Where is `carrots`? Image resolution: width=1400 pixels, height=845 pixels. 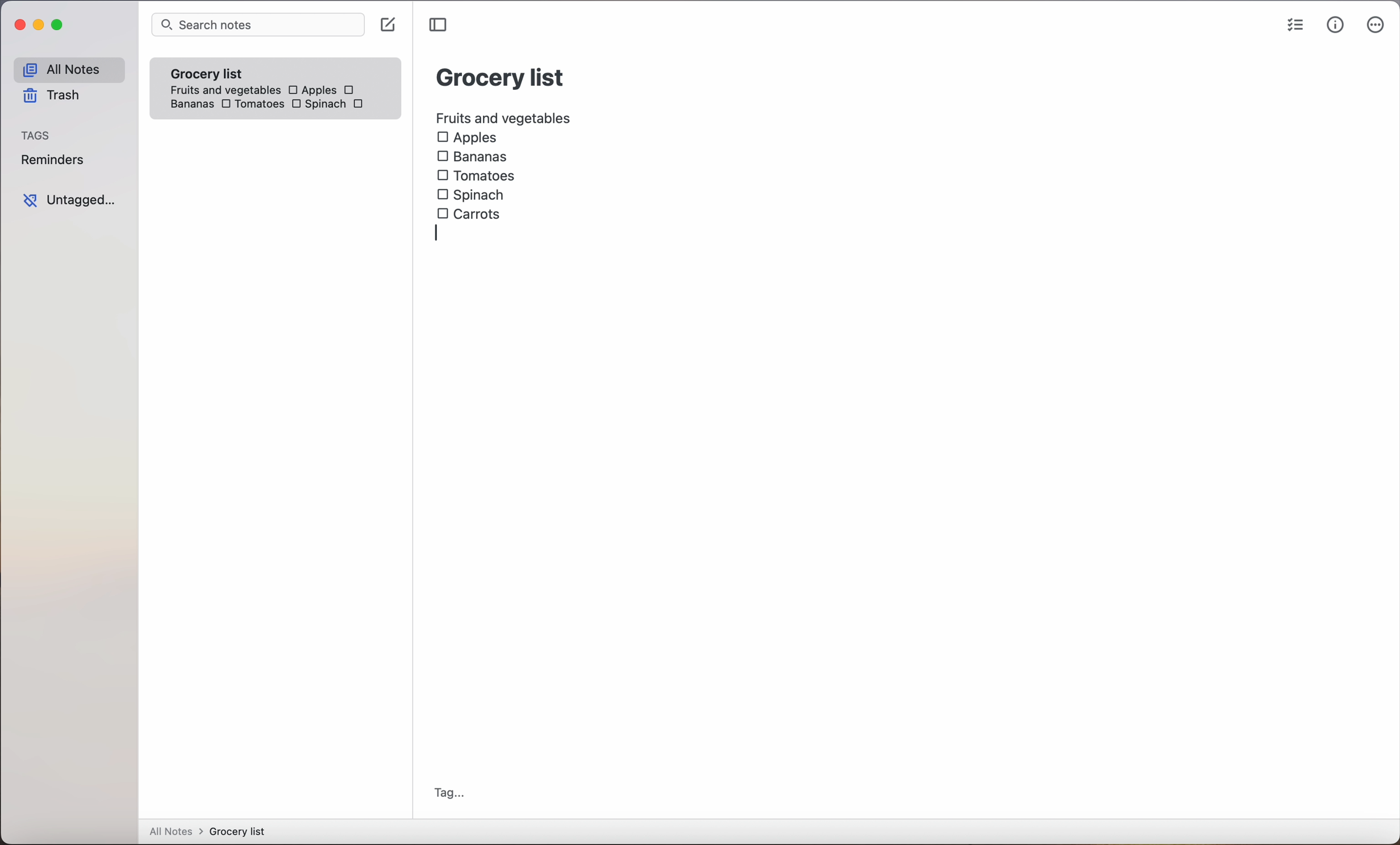 carrots is located at coordinates (361, 104).